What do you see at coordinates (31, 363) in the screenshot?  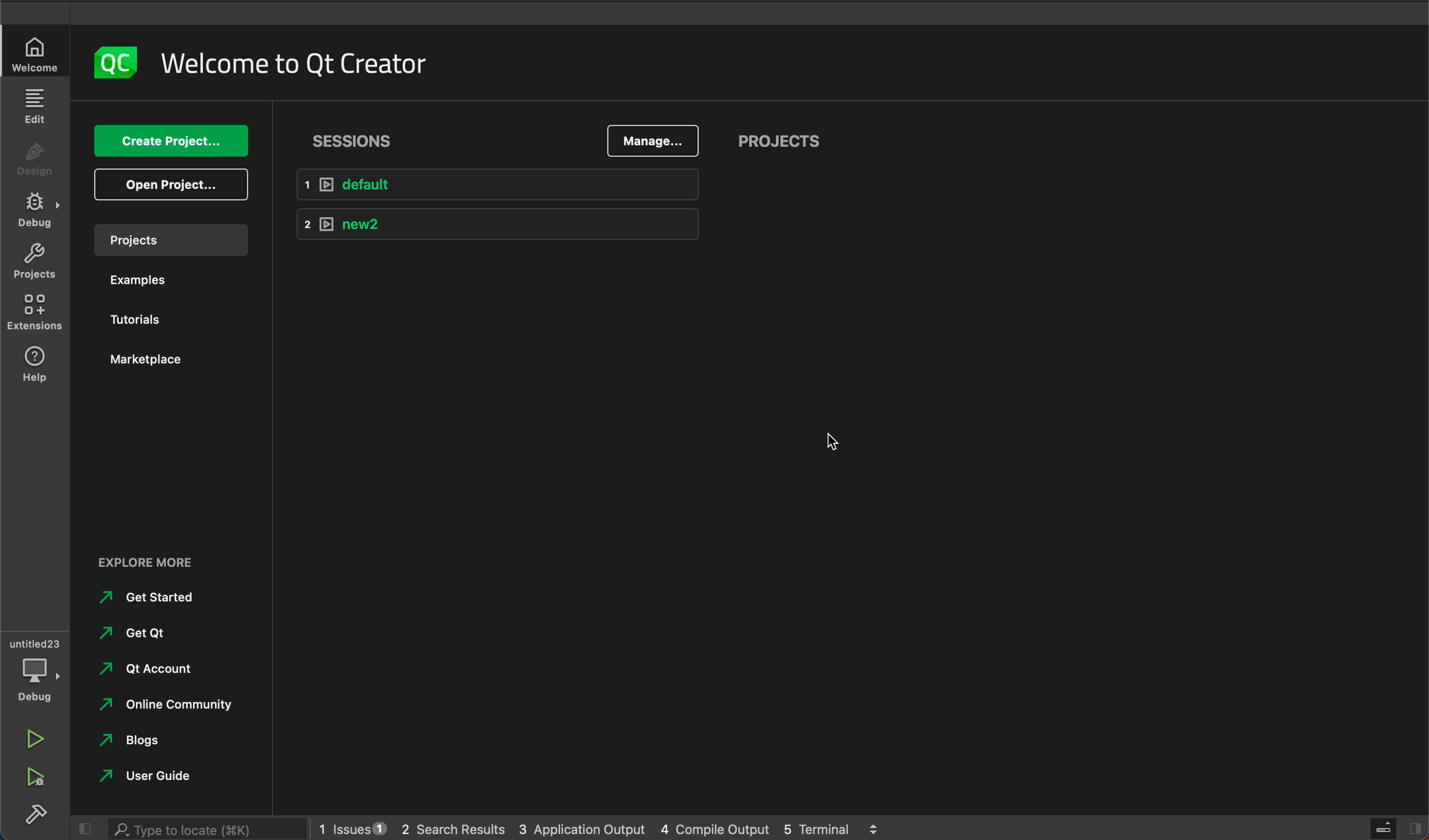 I see `help` at bounding box center [31, 363].